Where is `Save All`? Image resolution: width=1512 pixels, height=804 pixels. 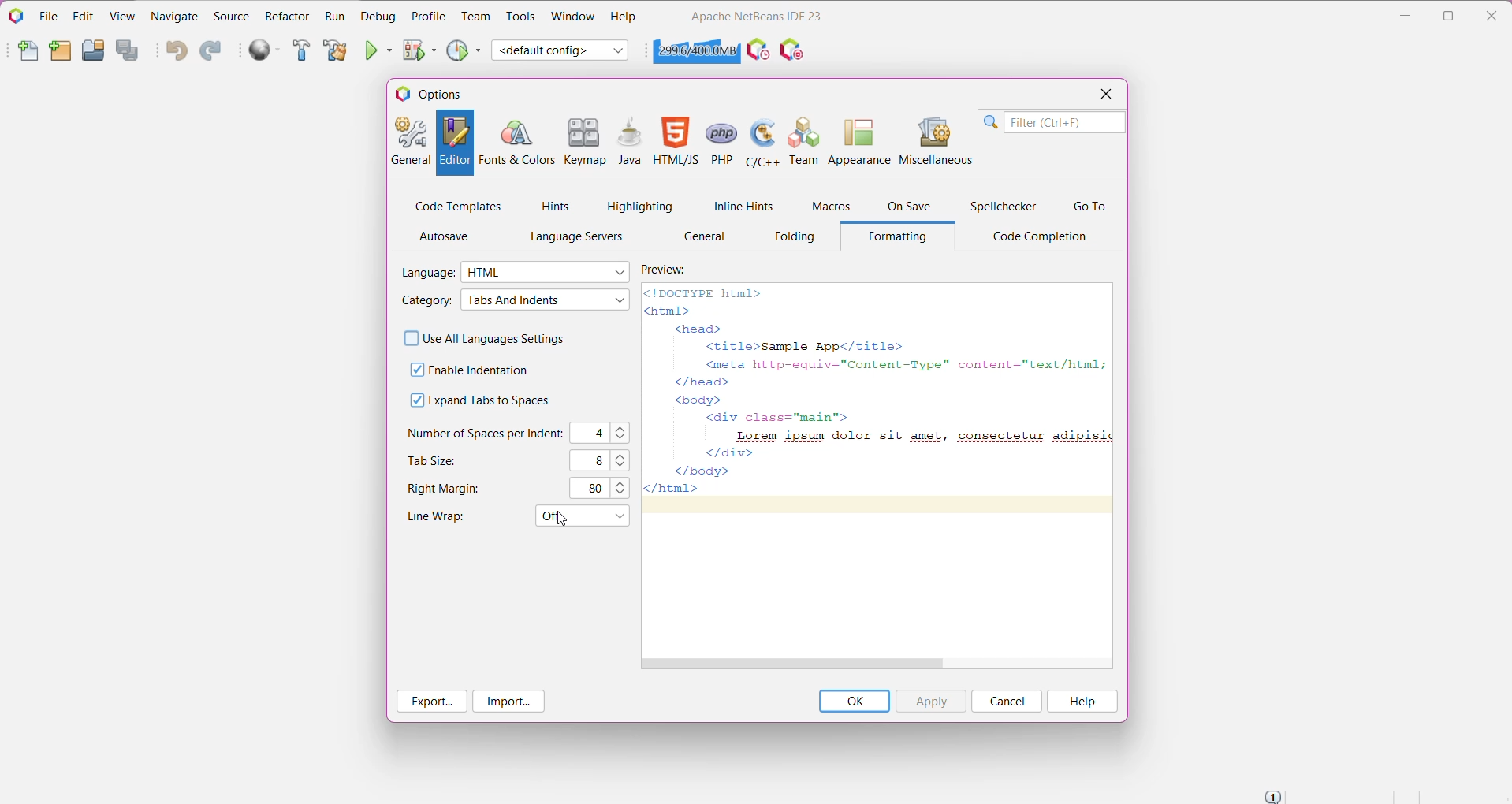
Save All is located at coordinates (130, 51).